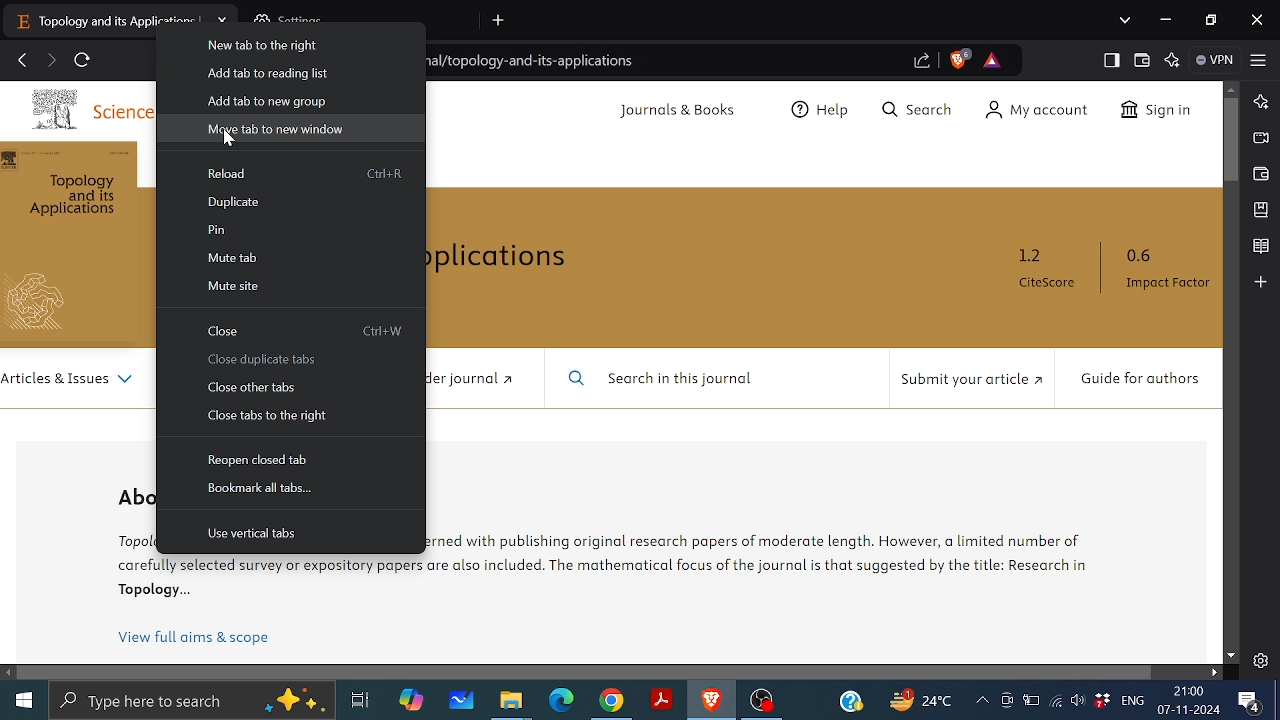  I want to click on  My account, so click(1036, 110).